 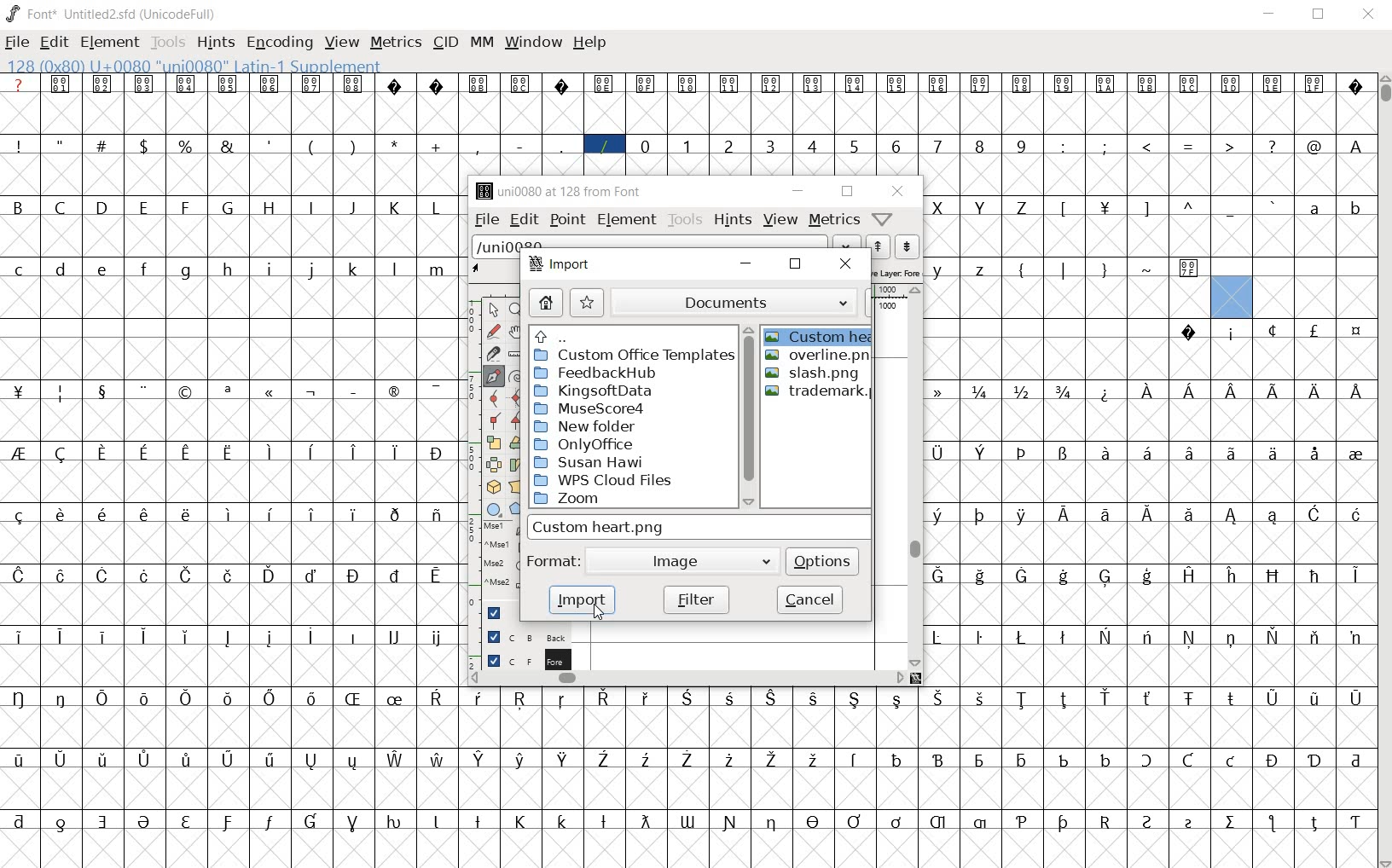 What do you see at coordinates (915, 477) in the screenshot?
I see `scrollbar` at bounding box center [915, 477].